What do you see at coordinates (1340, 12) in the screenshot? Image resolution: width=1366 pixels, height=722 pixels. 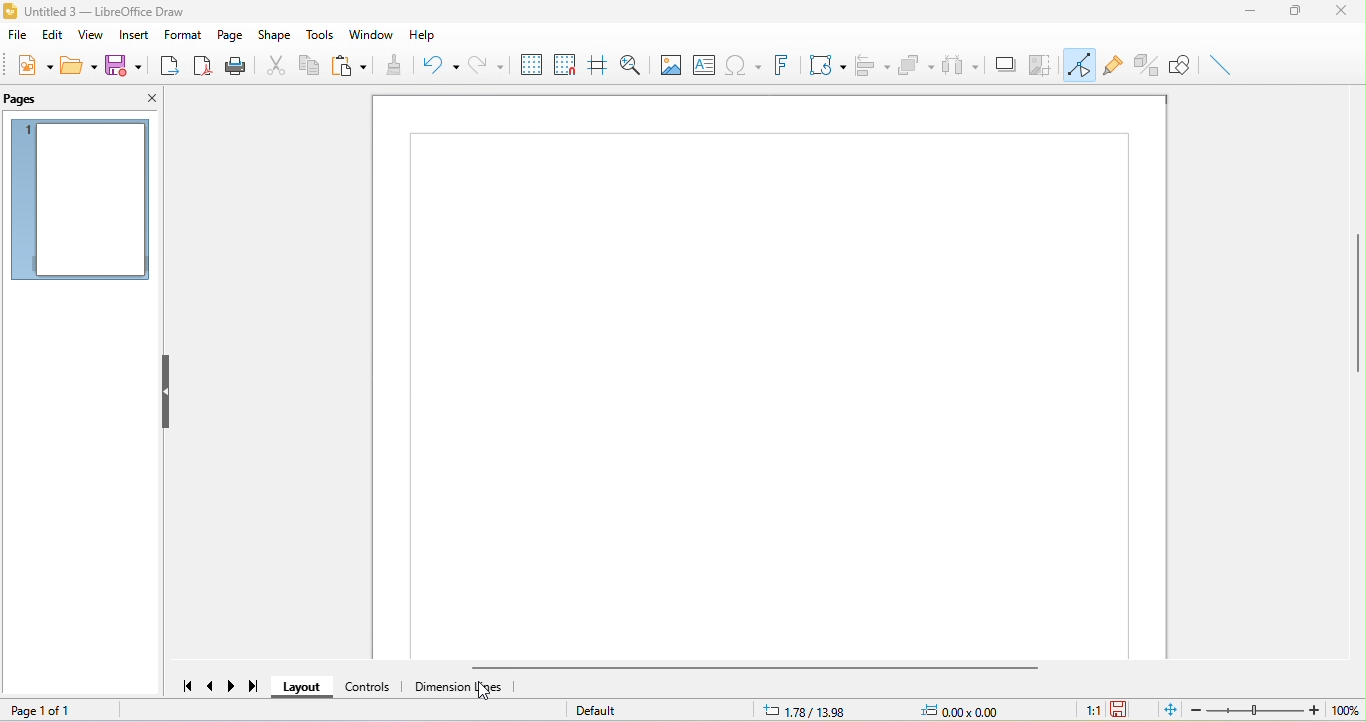 I see `close` at bounding box center [1340, 12].